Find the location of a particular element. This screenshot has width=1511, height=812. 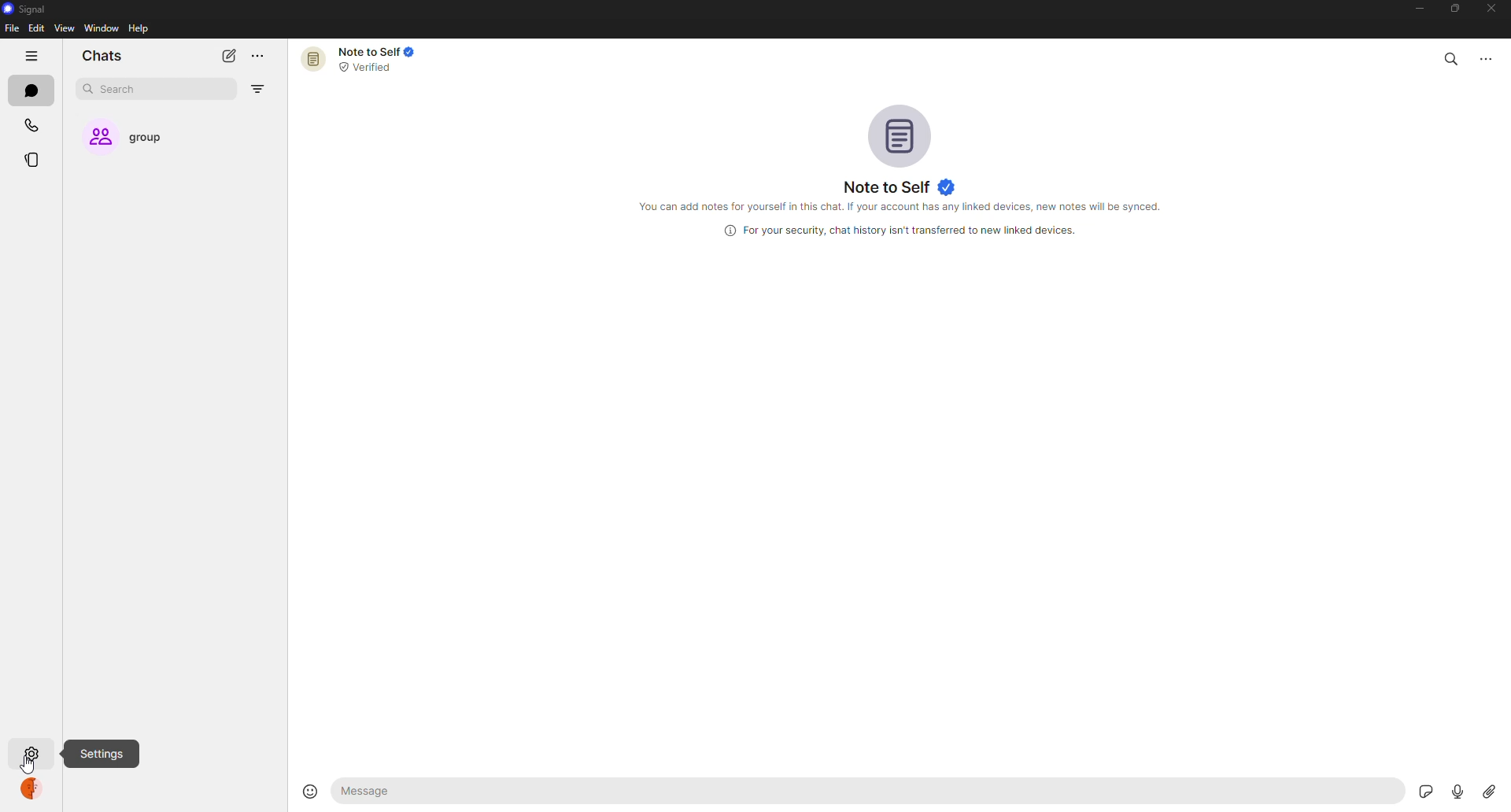

info is located at coordinates (907, 209).